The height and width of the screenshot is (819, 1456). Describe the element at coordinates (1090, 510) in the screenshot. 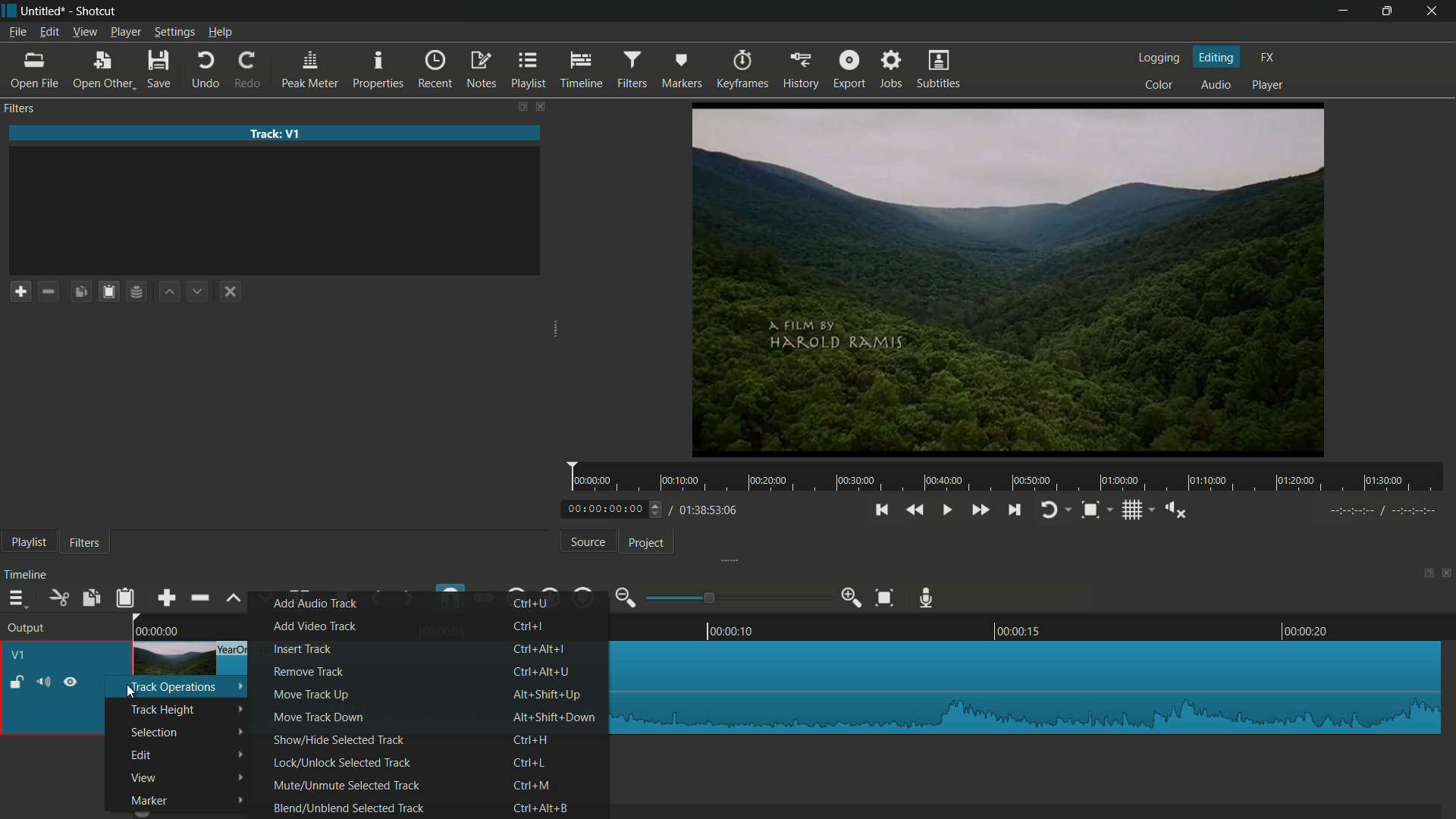

I see `toggle snap` at that location.